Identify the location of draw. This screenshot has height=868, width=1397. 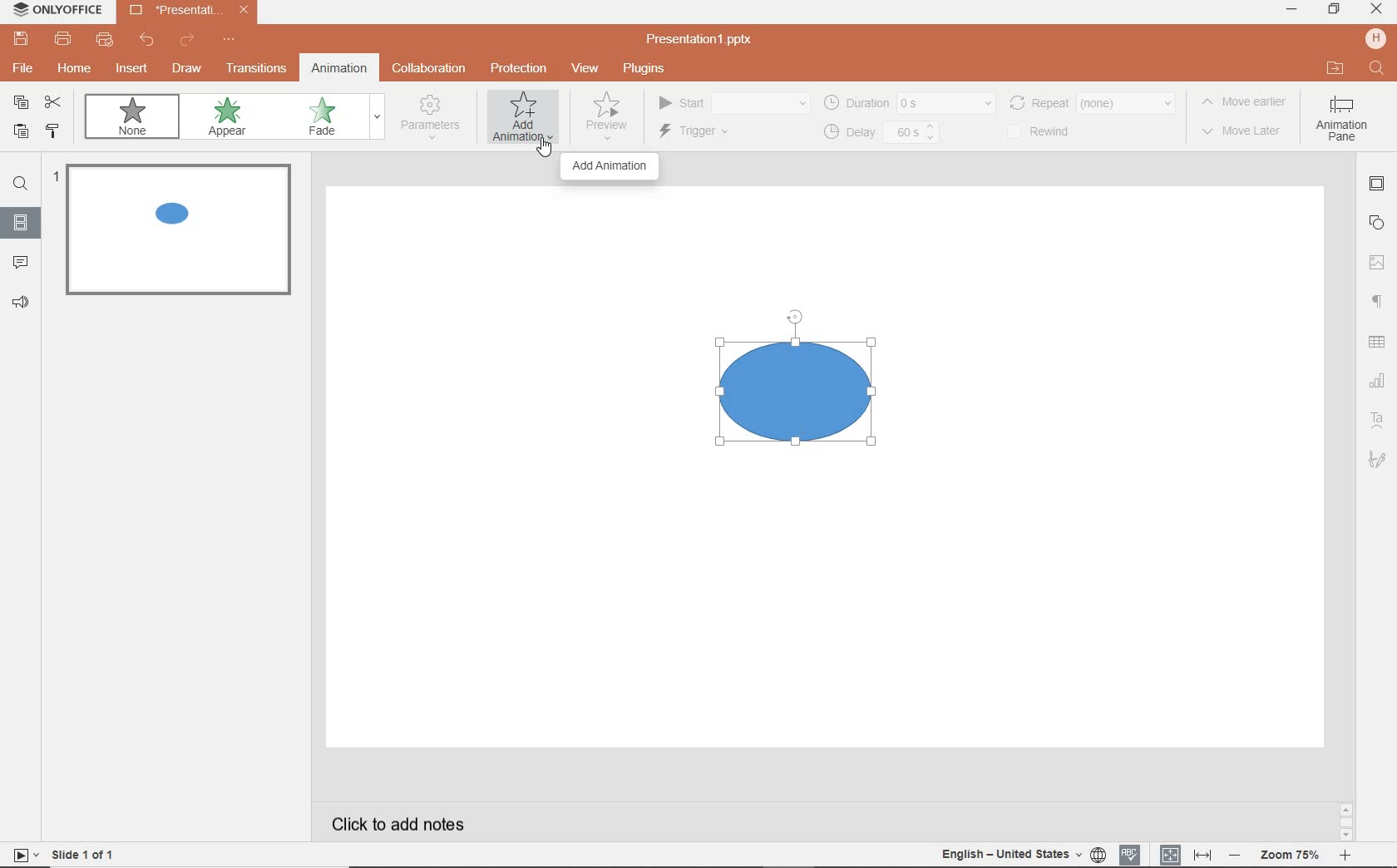
(187, 68).